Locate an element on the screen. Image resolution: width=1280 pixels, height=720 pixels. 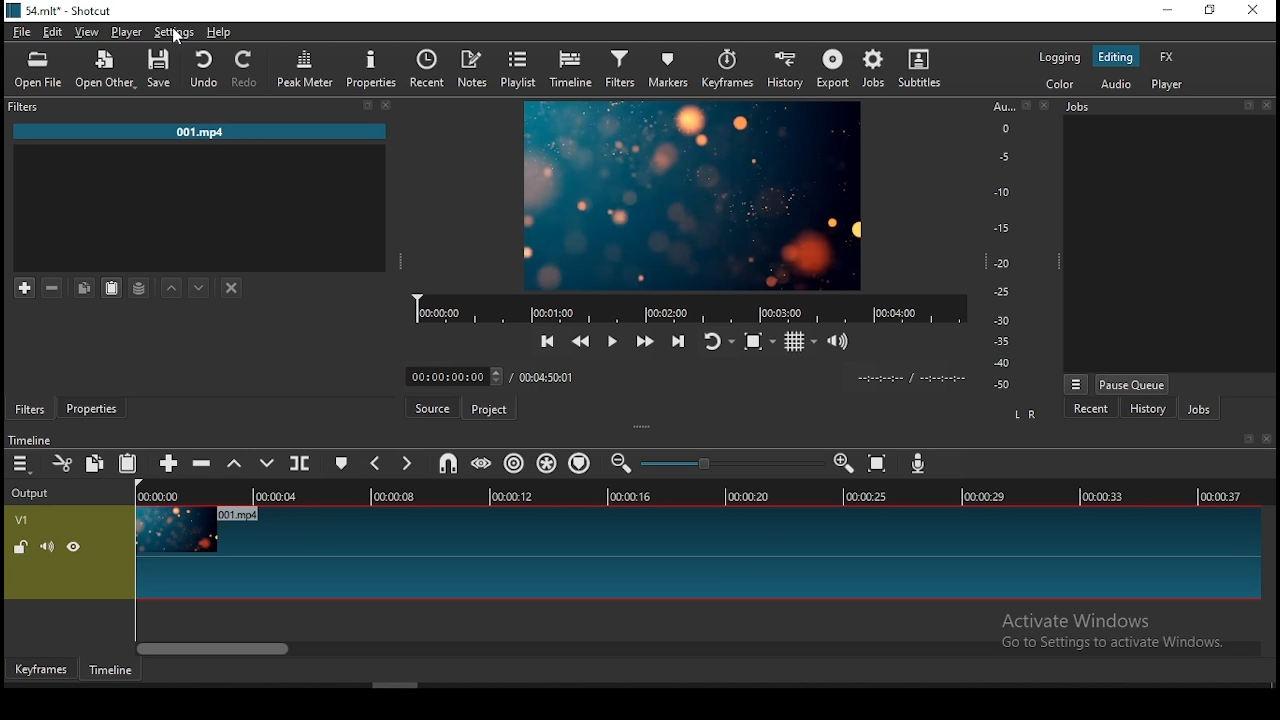
hide is located at coordinates (73, 545).